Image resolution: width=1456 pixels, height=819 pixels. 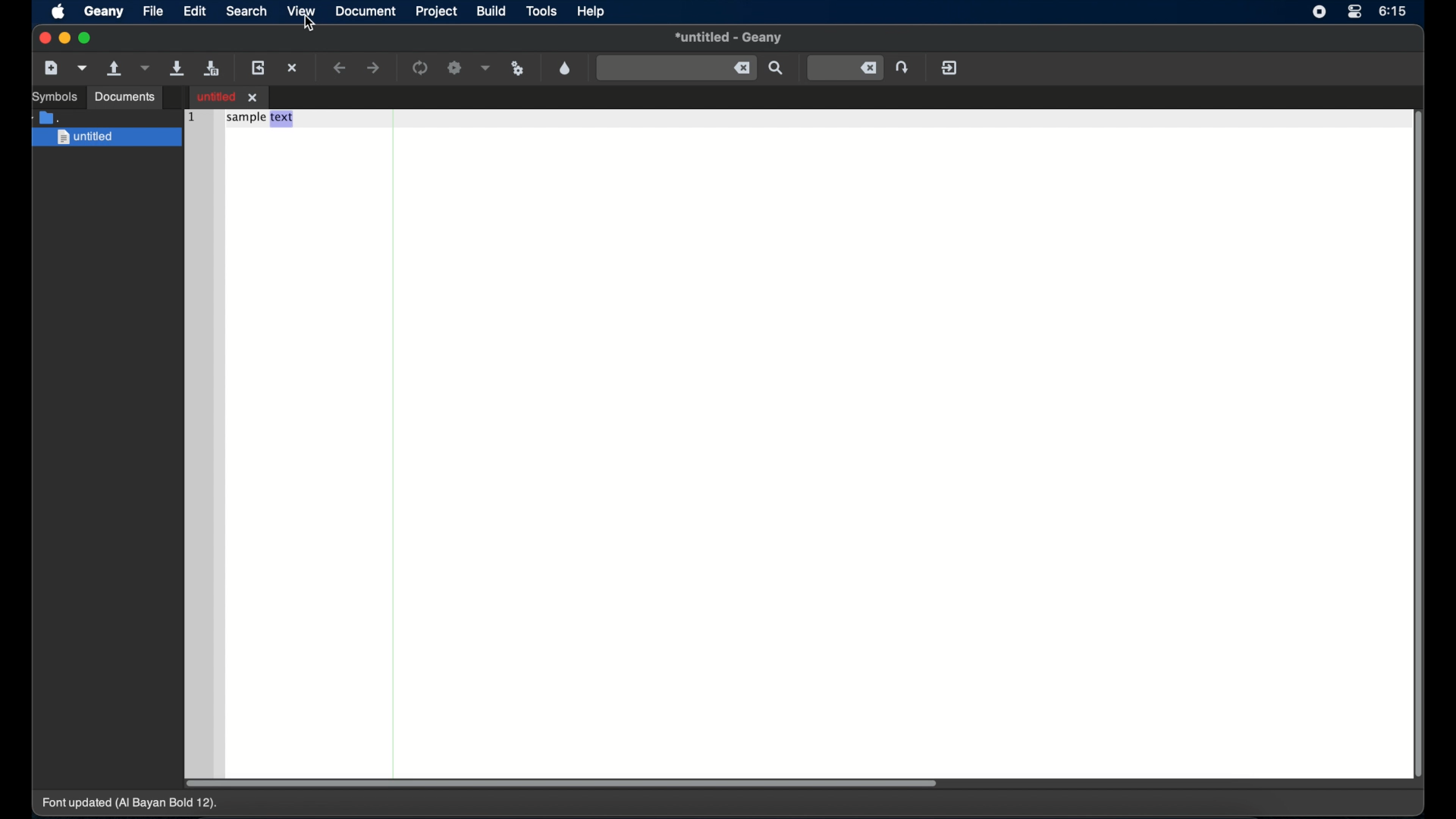 I want to click on save all current files, so click(x=212, y=69).